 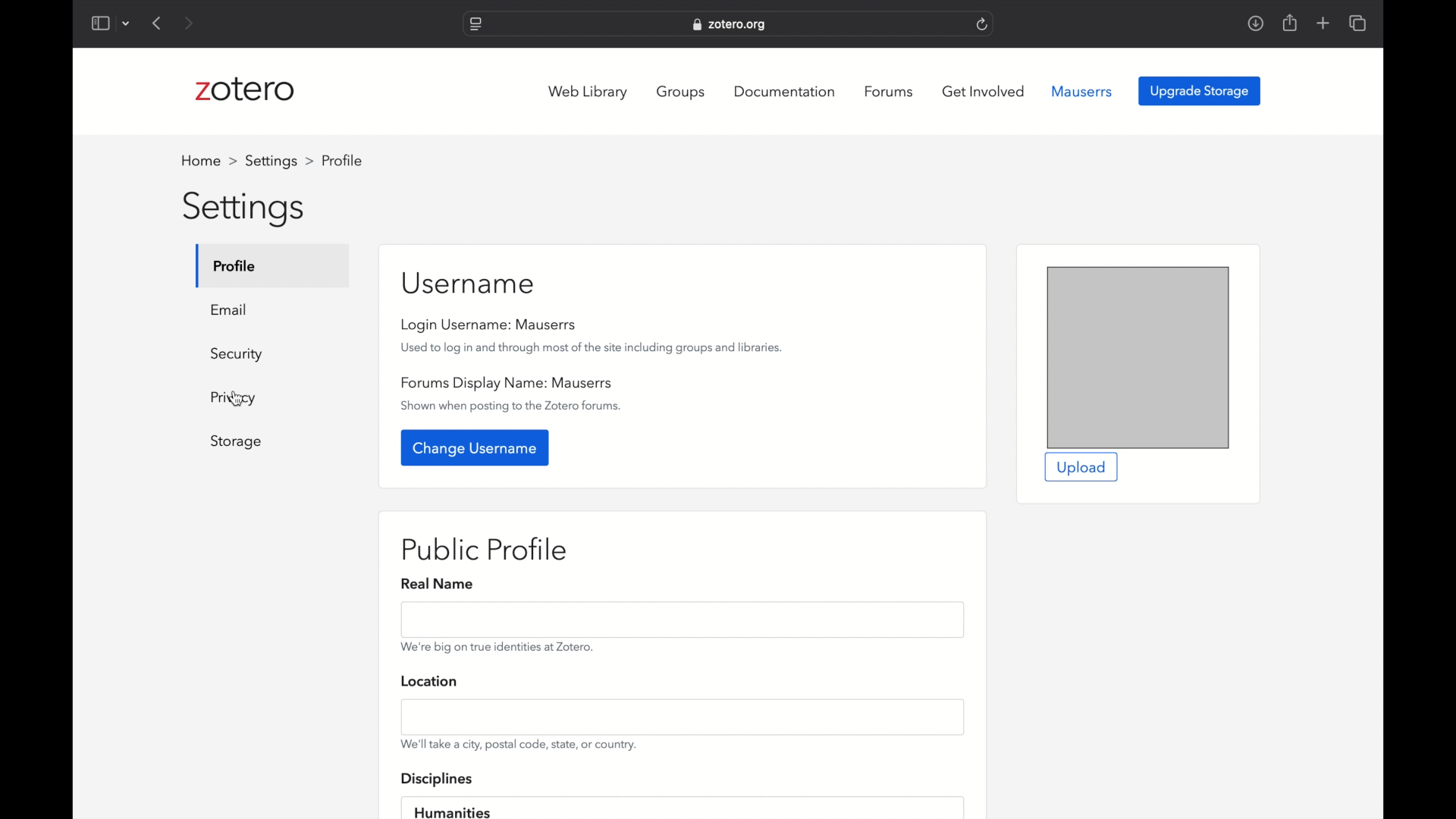 I want to click on home, so click(x=209, y=161).